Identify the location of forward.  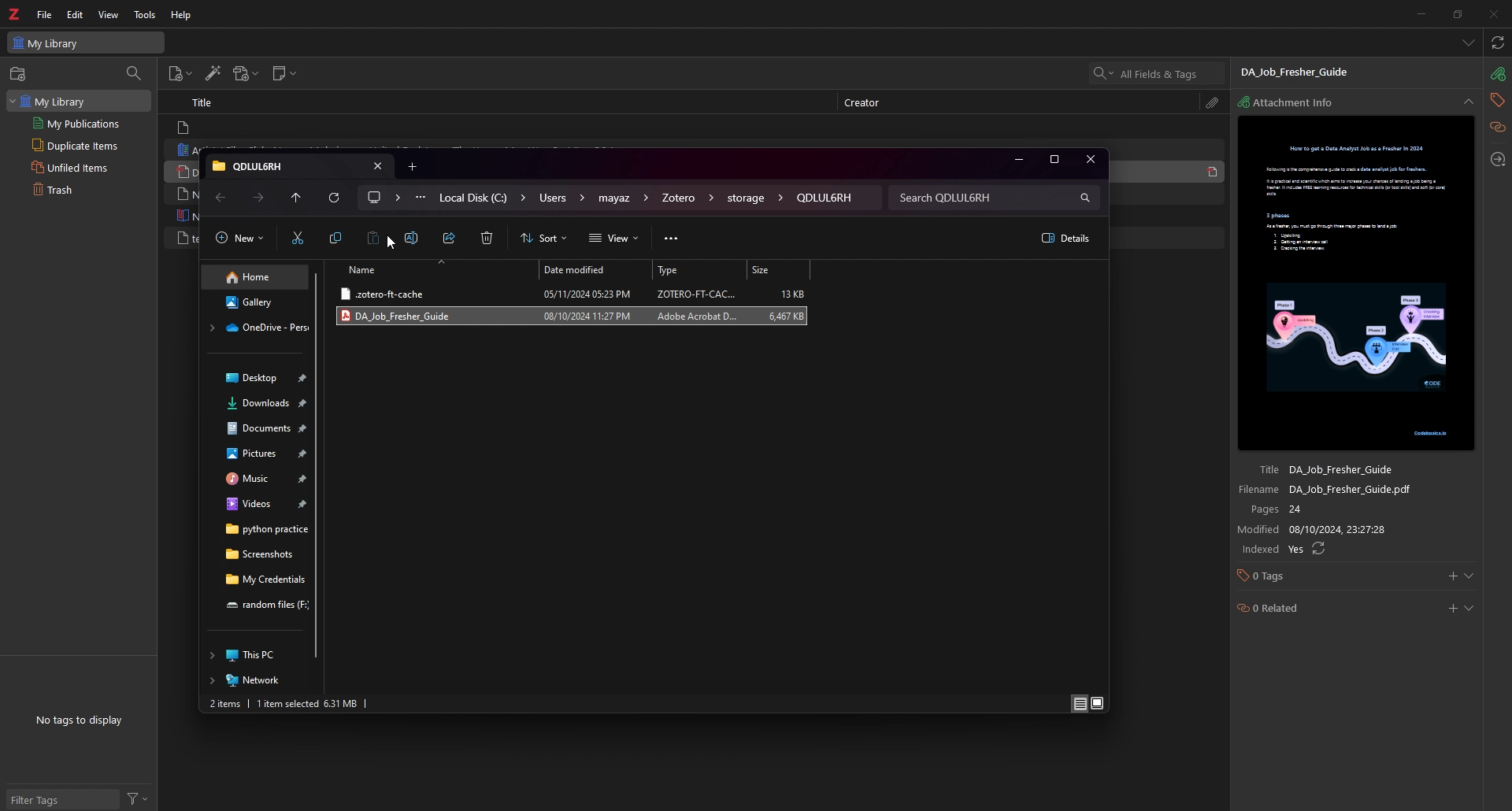
(259, 198).